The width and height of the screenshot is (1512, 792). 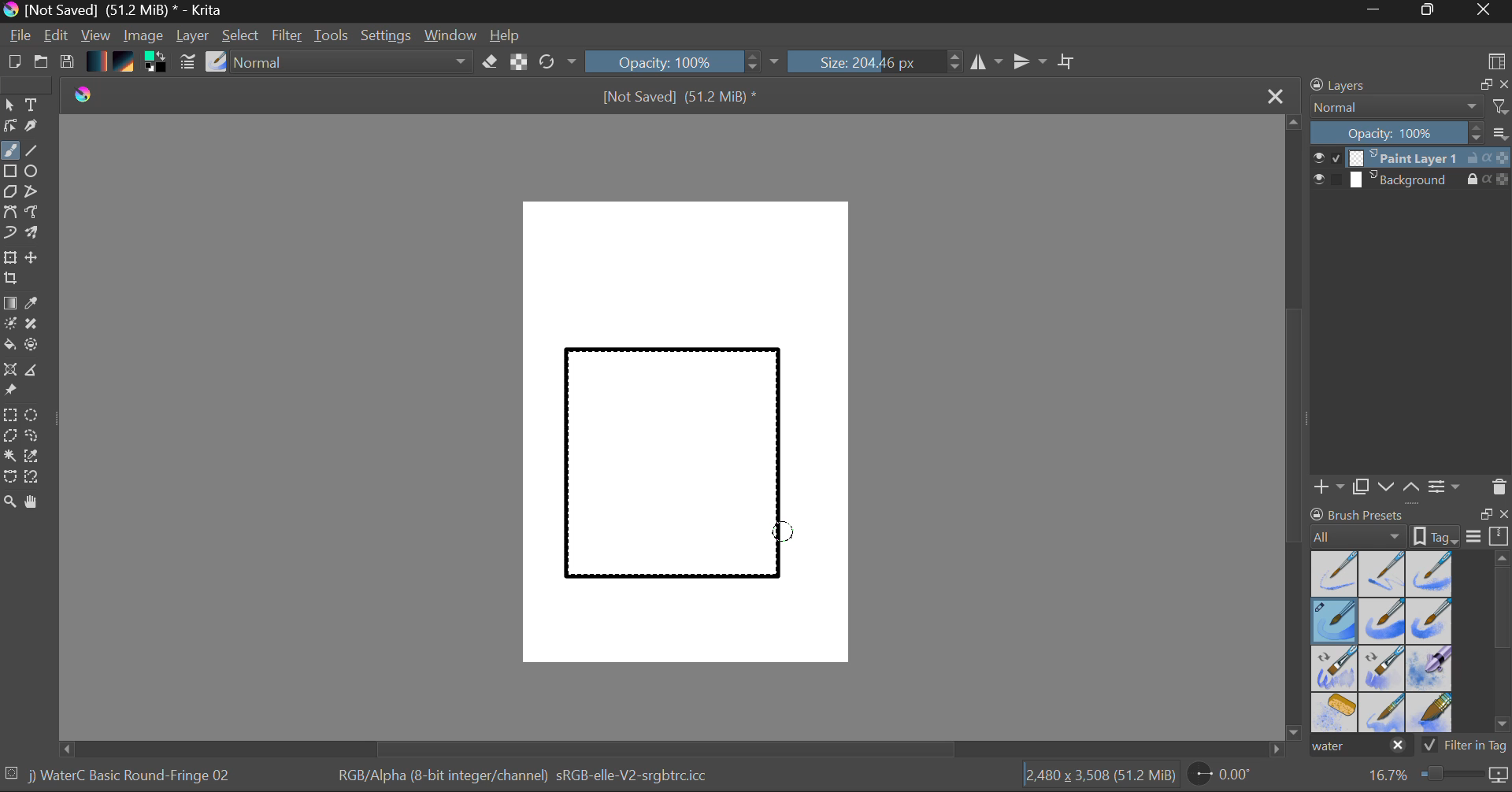 I want to click on MOUSE_DOWN Cursor Position, so click(x=787, y=534).